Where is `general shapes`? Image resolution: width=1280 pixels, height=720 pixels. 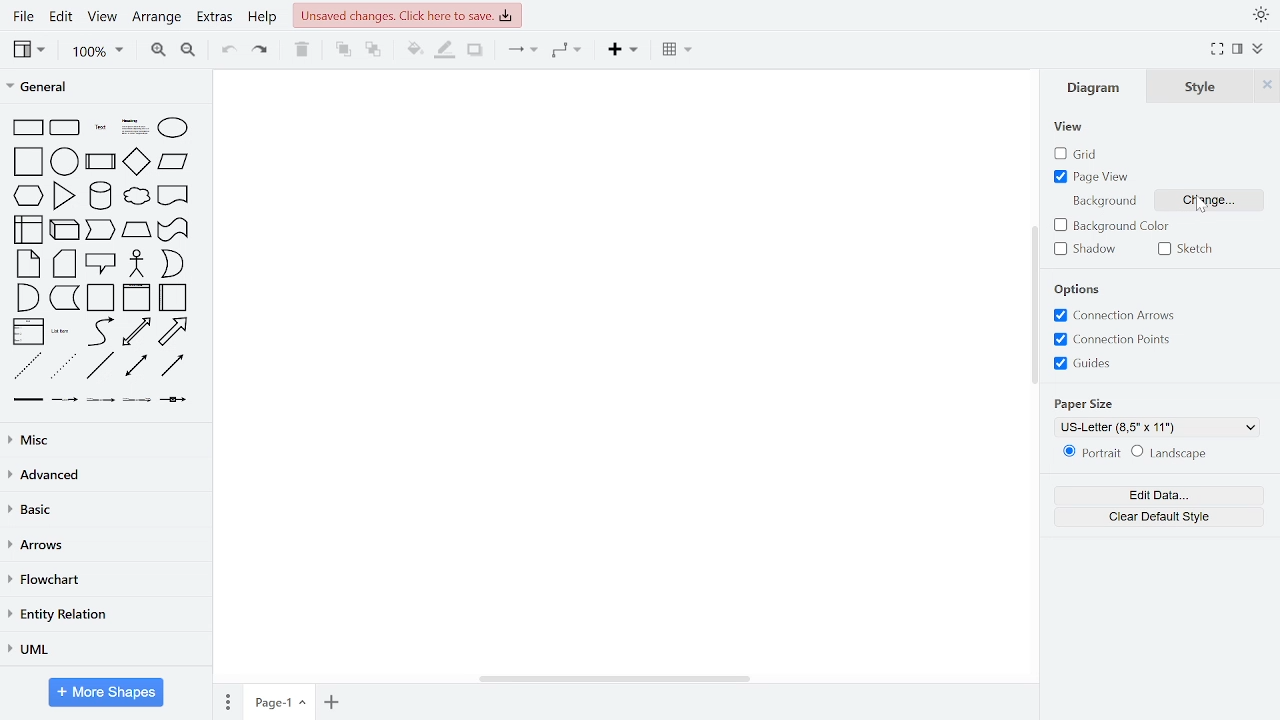 general shapes is located at coordinates (170, 366).